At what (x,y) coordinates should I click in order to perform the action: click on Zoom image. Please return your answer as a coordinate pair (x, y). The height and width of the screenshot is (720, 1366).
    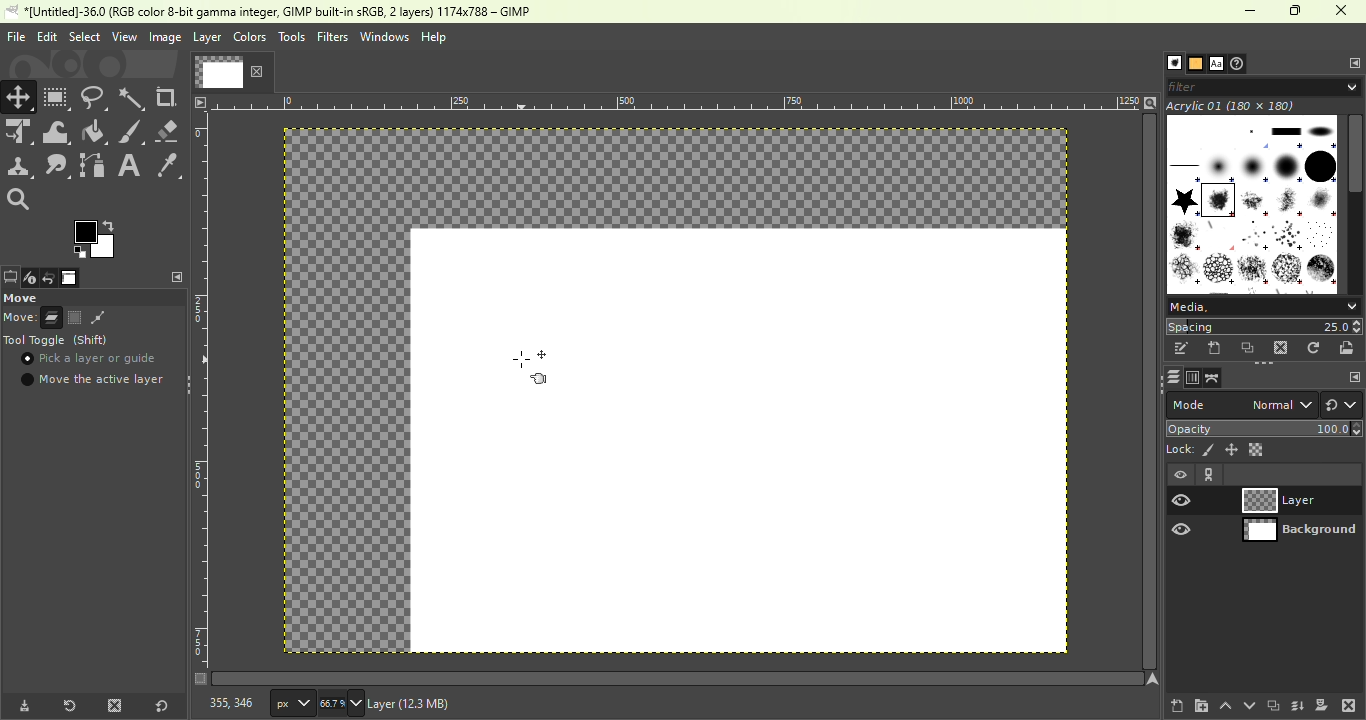
    Looking at the image, I should click on (1150, 101).